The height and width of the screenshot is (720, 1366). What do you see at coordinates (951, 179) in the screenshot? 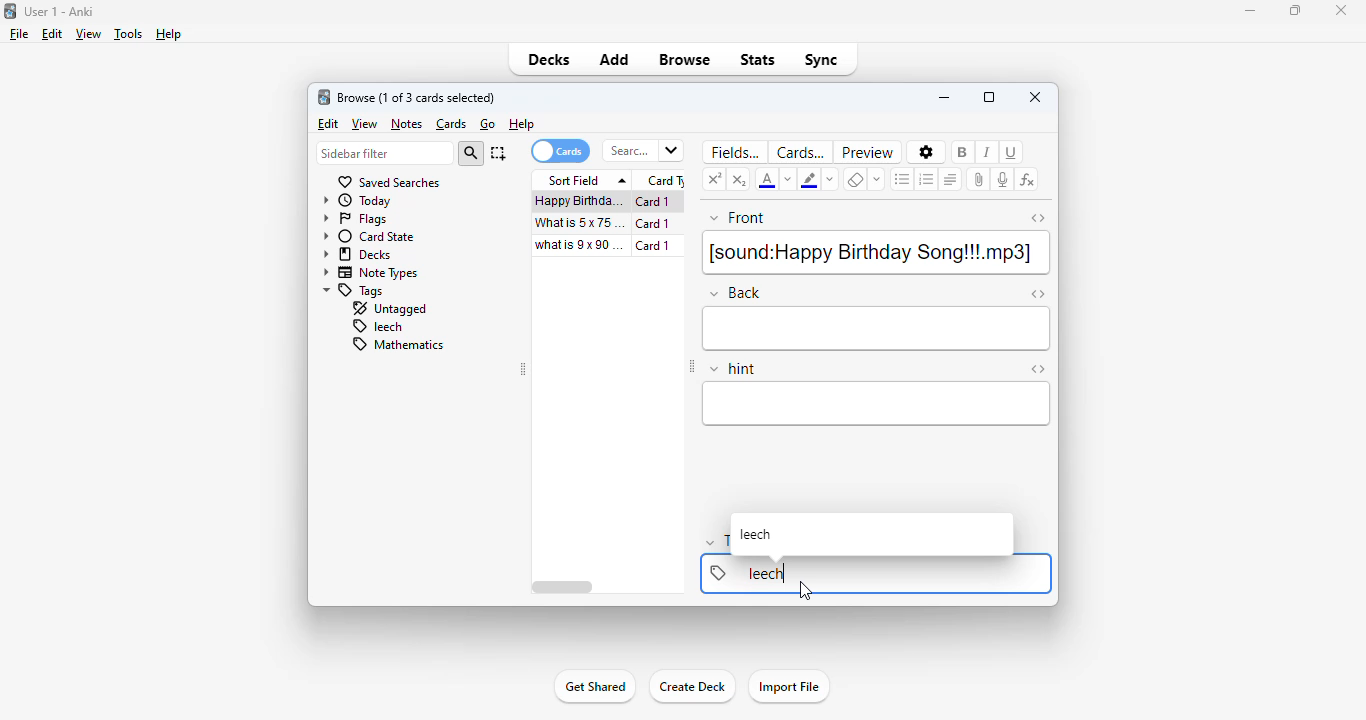
I see `alignment` at bounding box center [951, 179].